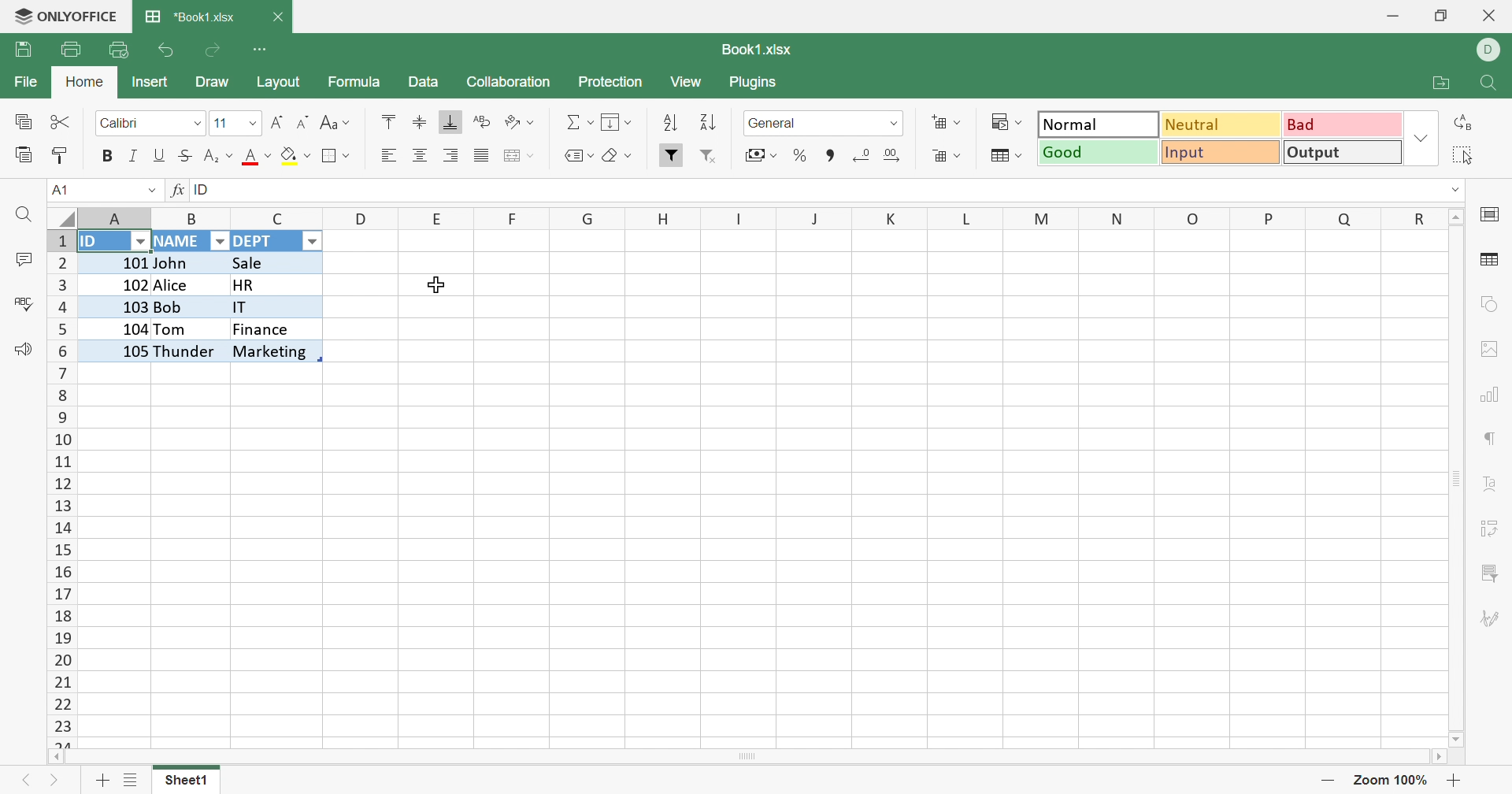  Describe the element at coordinates (576, 156) in the screenshot. I see `Named ranges` at that location.